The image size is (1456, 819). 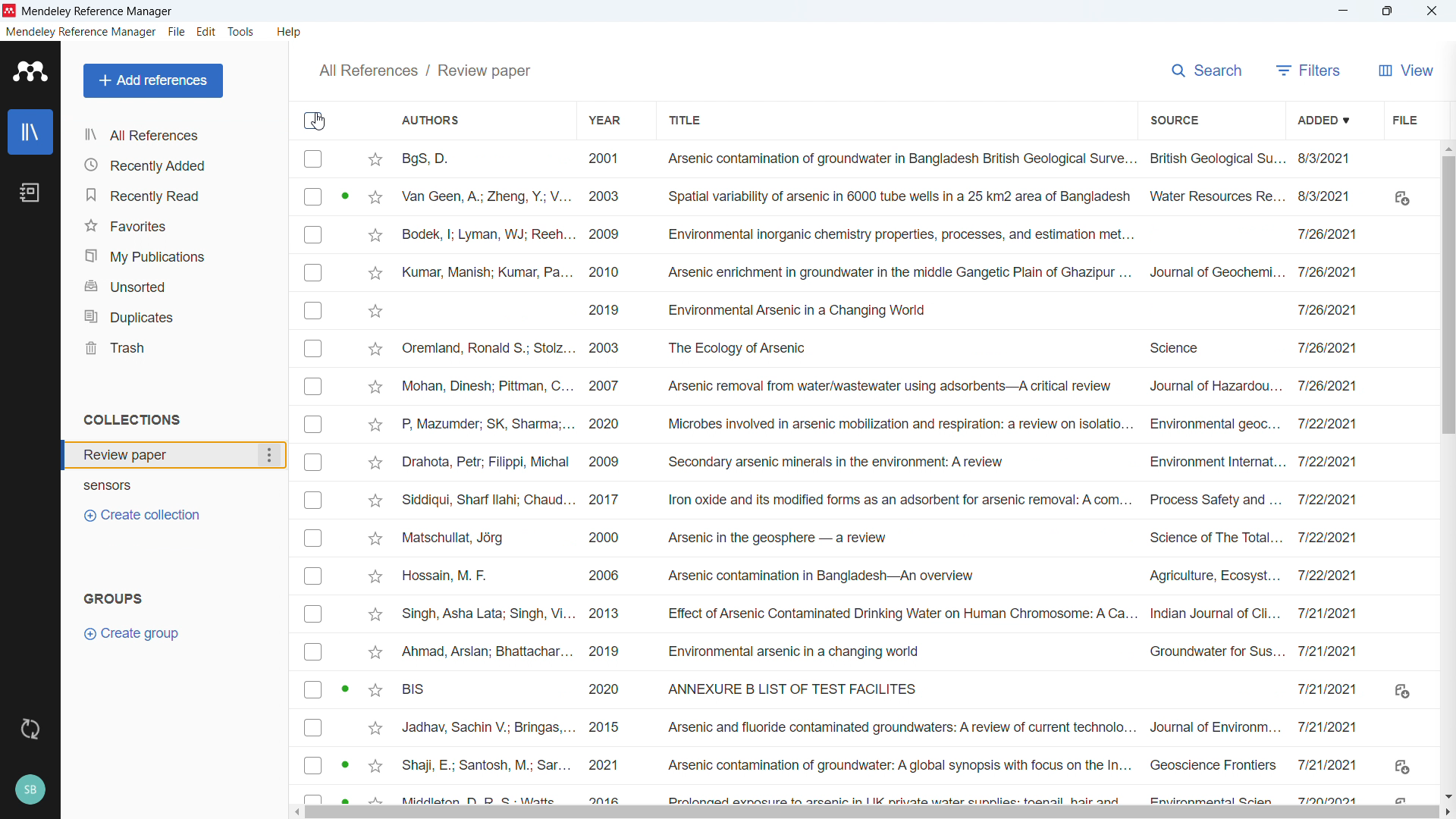 What do you see at coordinates (31, 790) in the screenshot?
I see `Current Profile ` at bounding box center [31, 790].